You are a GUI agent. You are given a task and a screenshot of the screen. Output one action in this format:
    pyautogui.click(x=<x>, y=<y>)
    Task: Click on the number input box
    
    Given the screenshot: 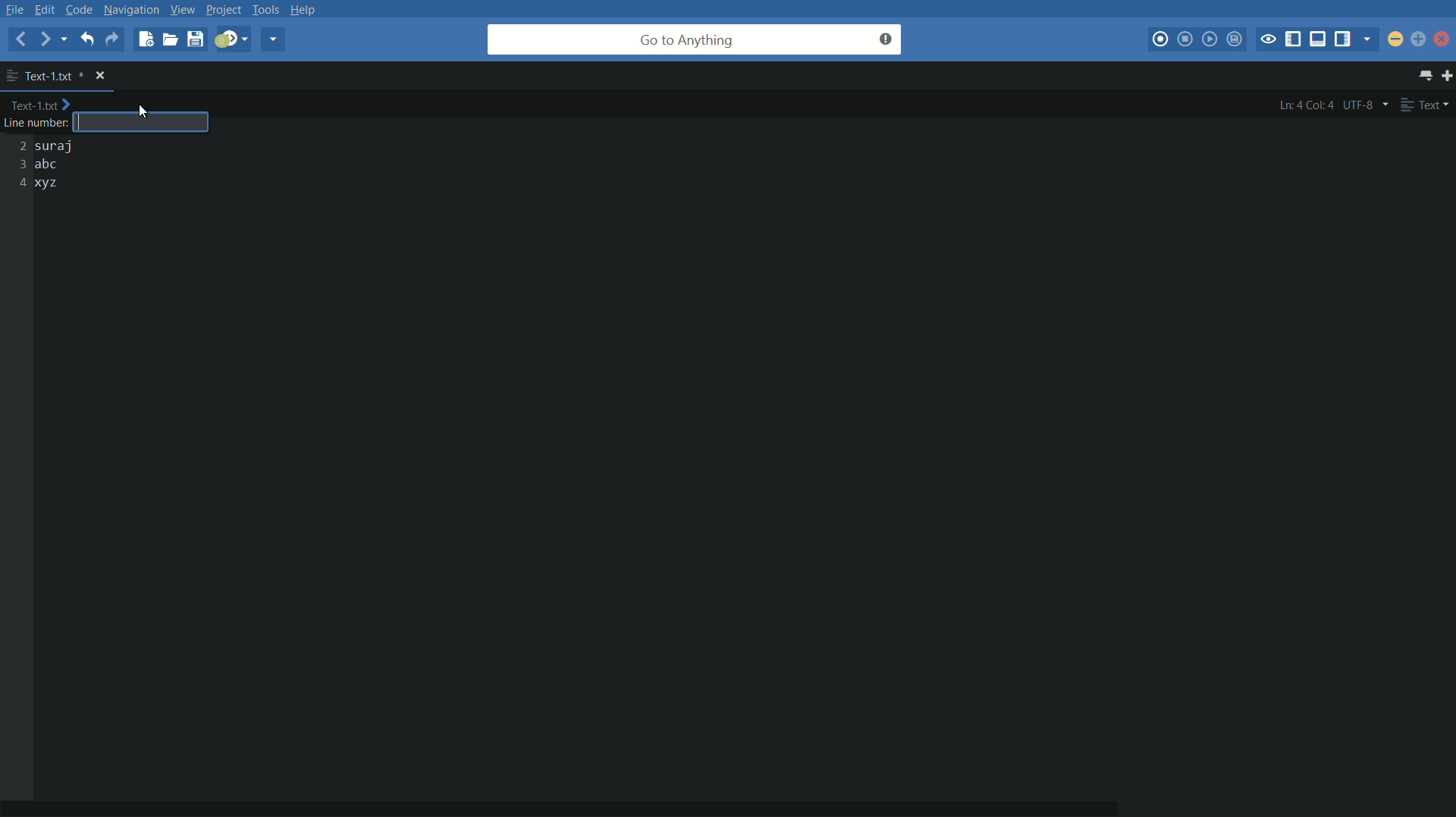 What is the action you would take?
    pyautogui.click(x=136, y=124)
    